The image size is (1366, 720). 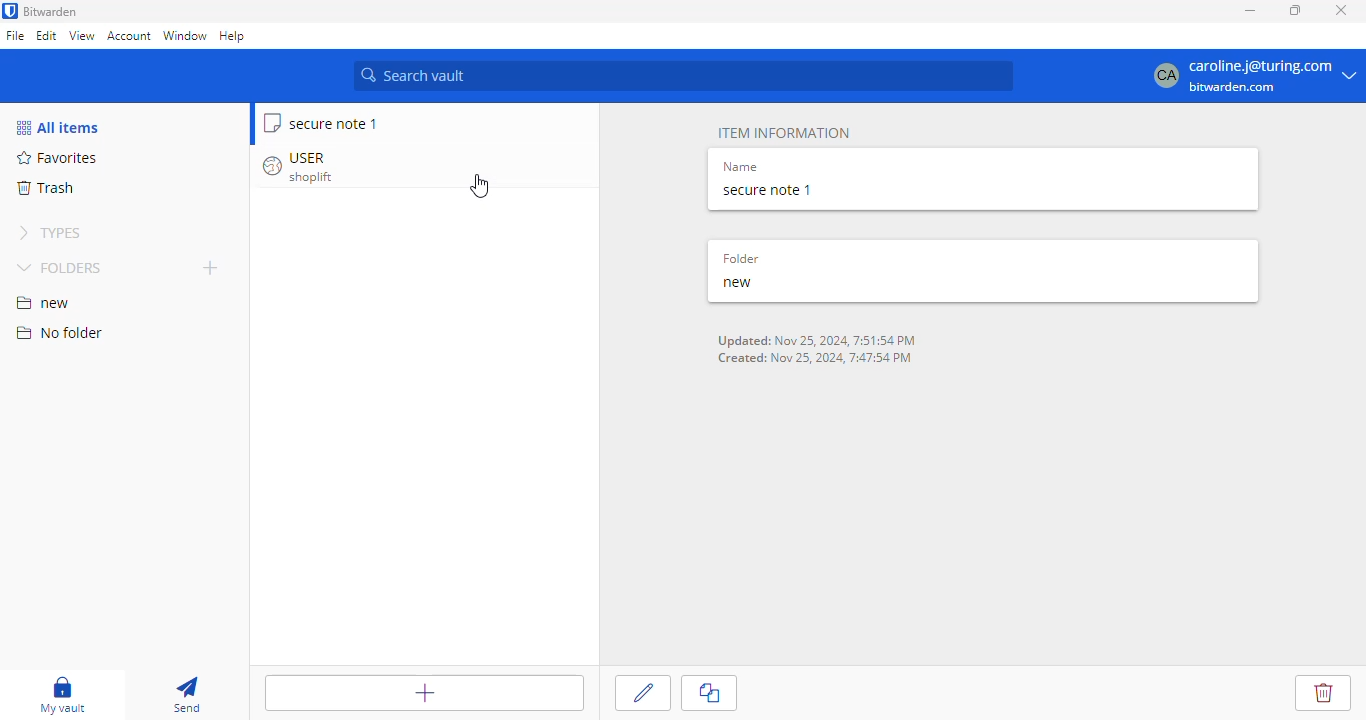 What do you see at coordinates (185, 36) in the screenshot?
I see `window` at bounding box center [185, 36].